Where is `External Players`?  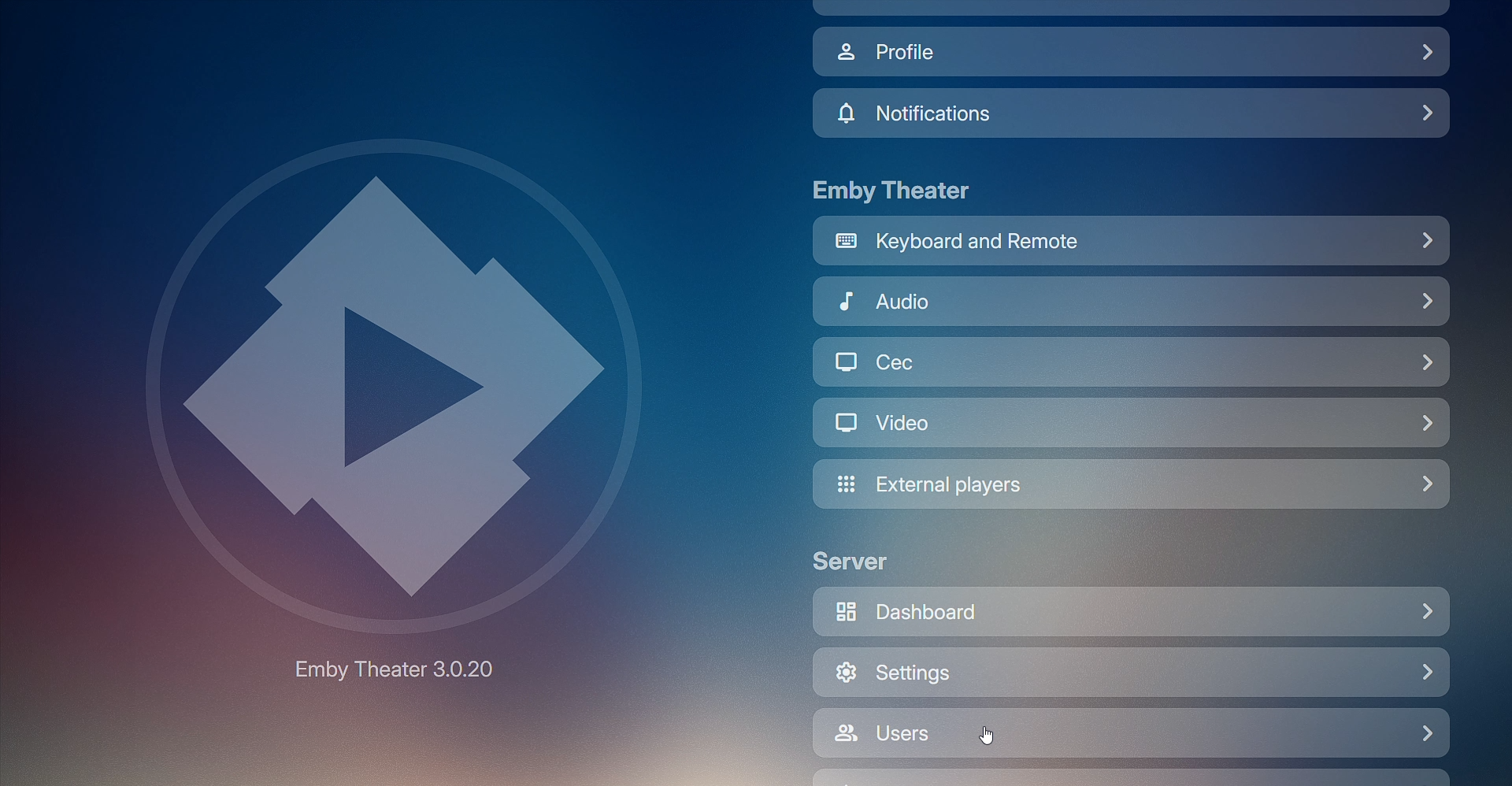
External Players is located at coordinates (1132, 485).